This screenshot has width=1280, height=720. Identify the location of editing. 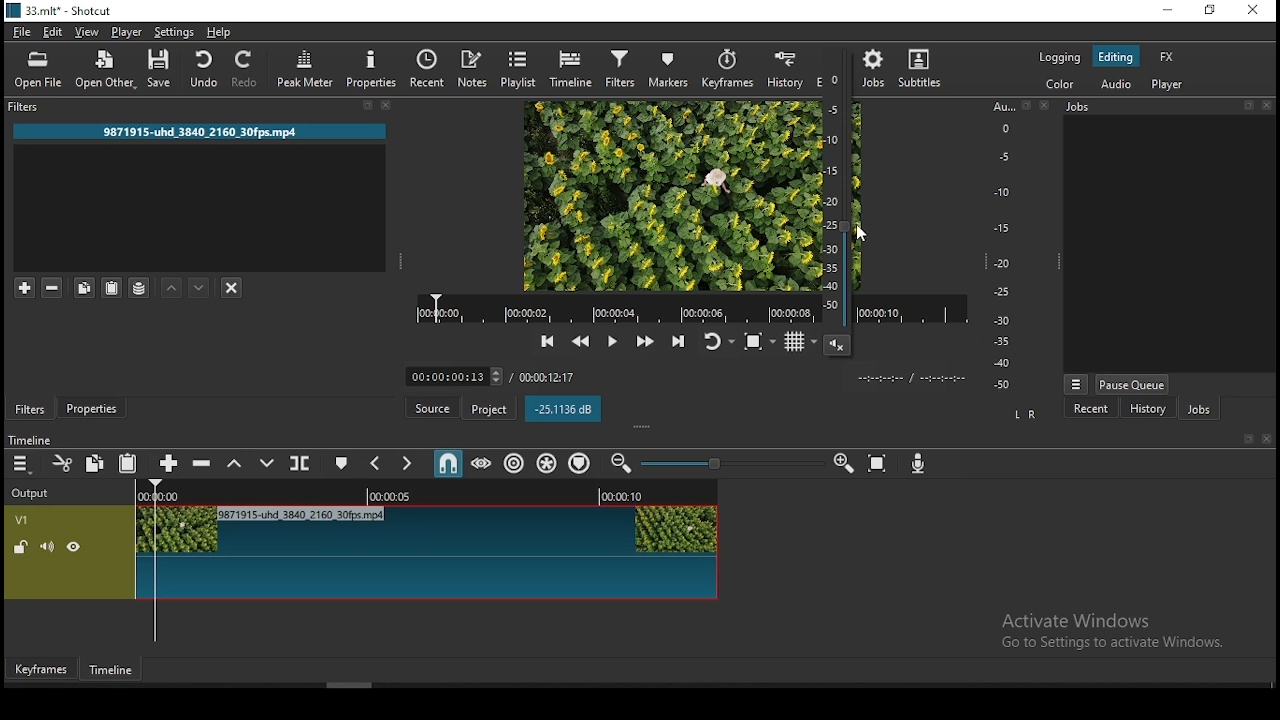
(1117, 57).